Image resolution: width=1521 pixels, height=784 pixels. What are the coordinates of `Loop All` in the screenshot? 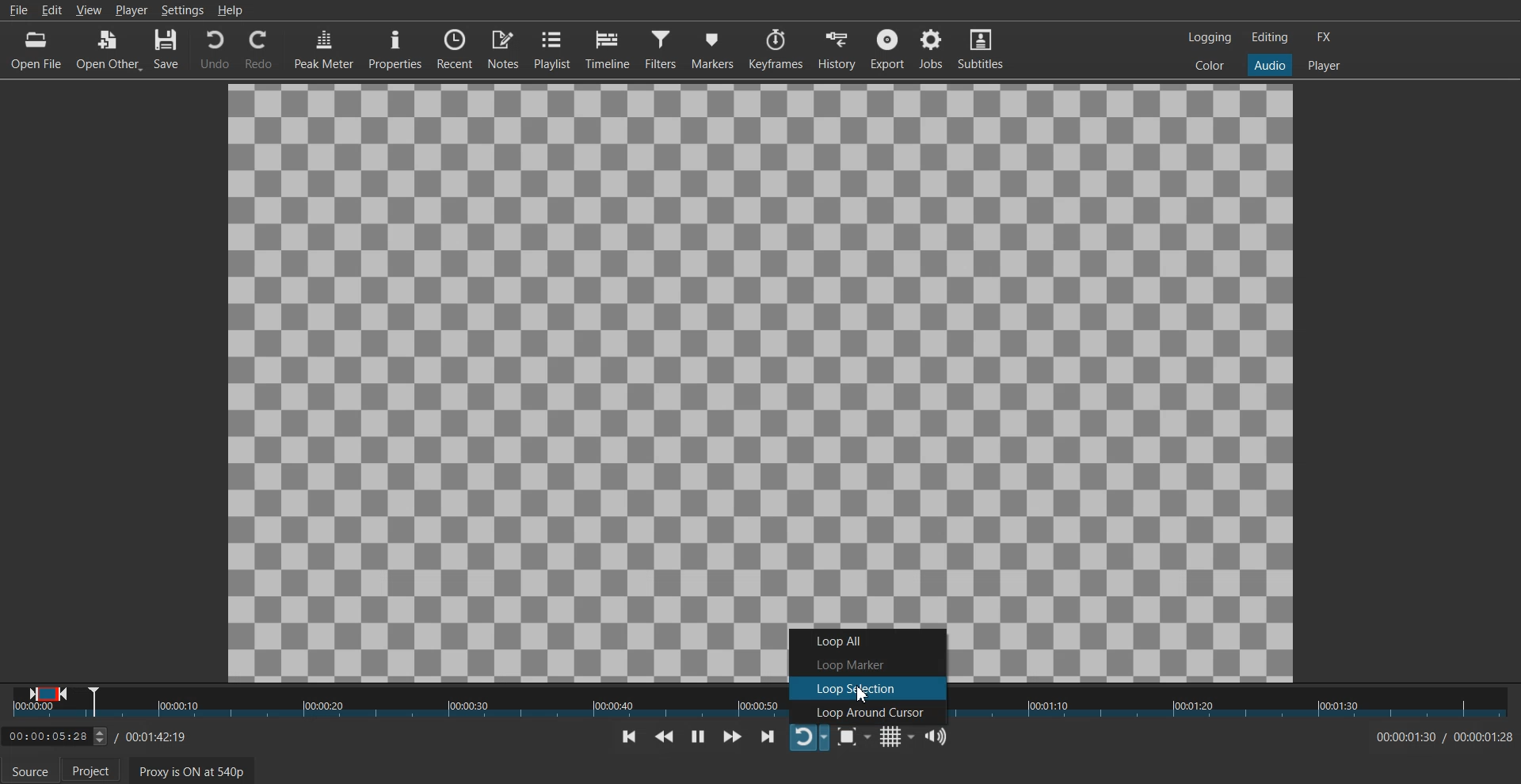 It's located at (867, 639).